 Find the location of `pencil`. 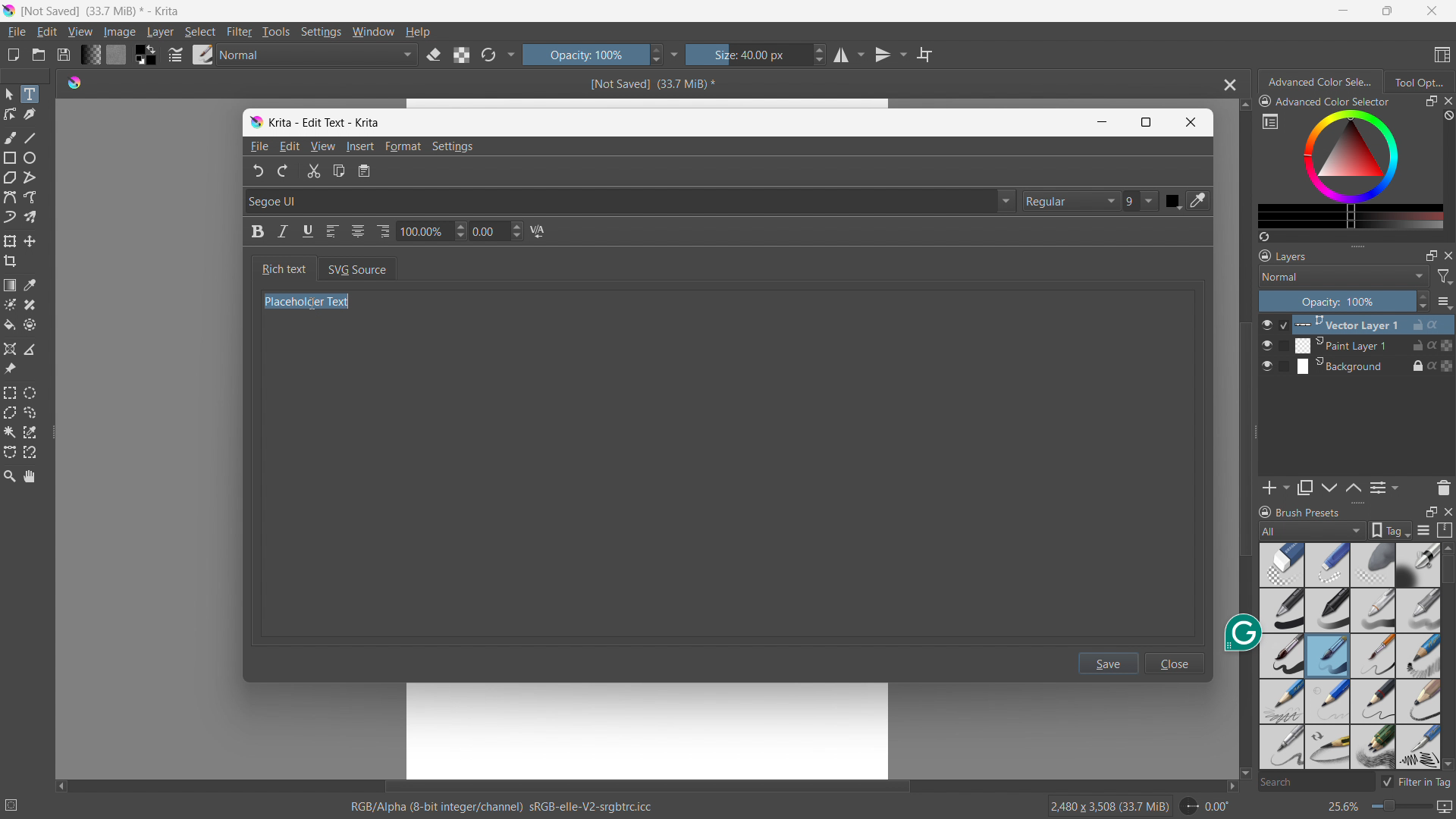

pencil is located at coordinates (1279, 747).